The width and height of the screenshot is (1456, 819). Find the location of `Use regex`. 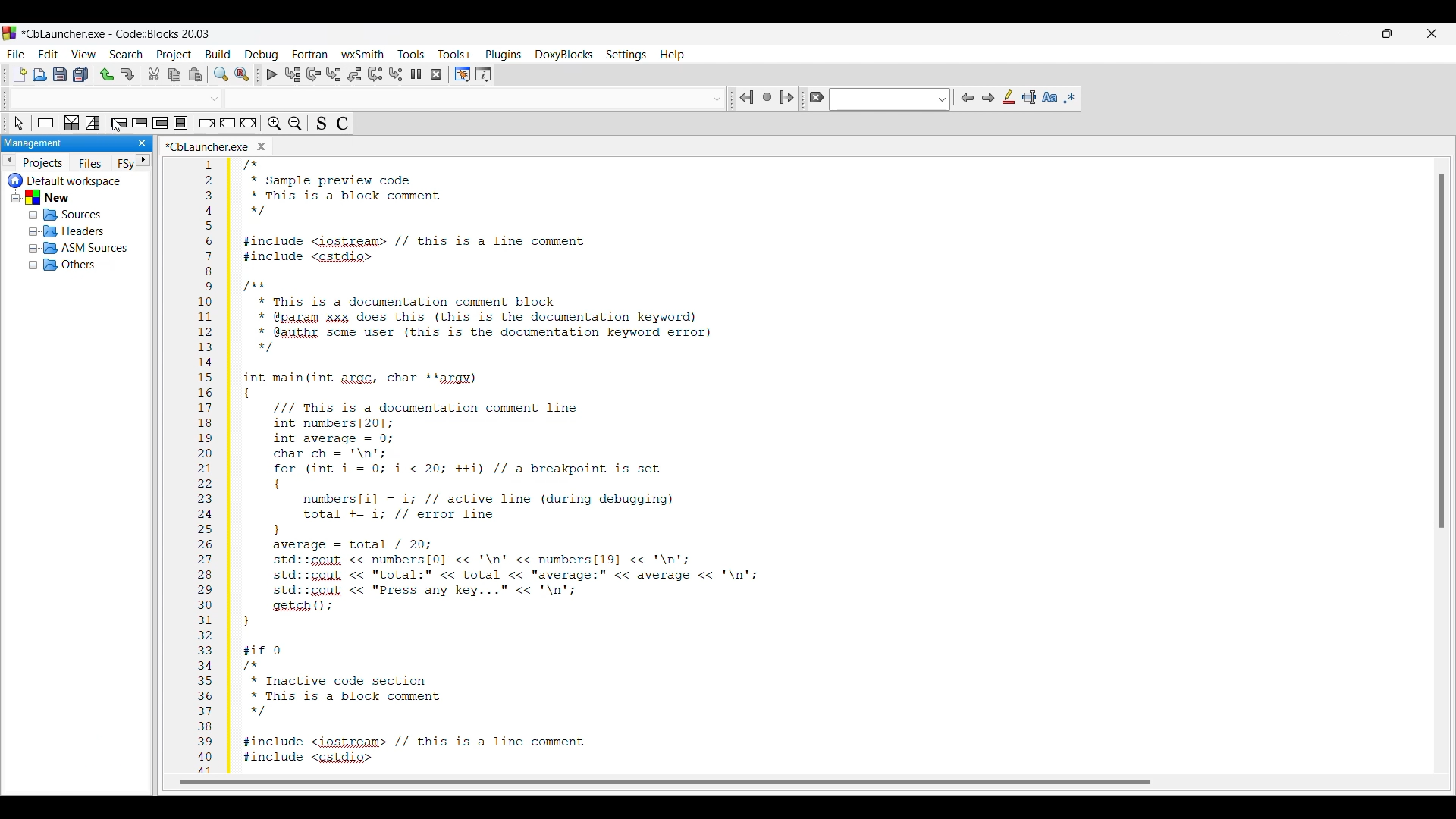

Use regex is located at coordinates (1069, 99).